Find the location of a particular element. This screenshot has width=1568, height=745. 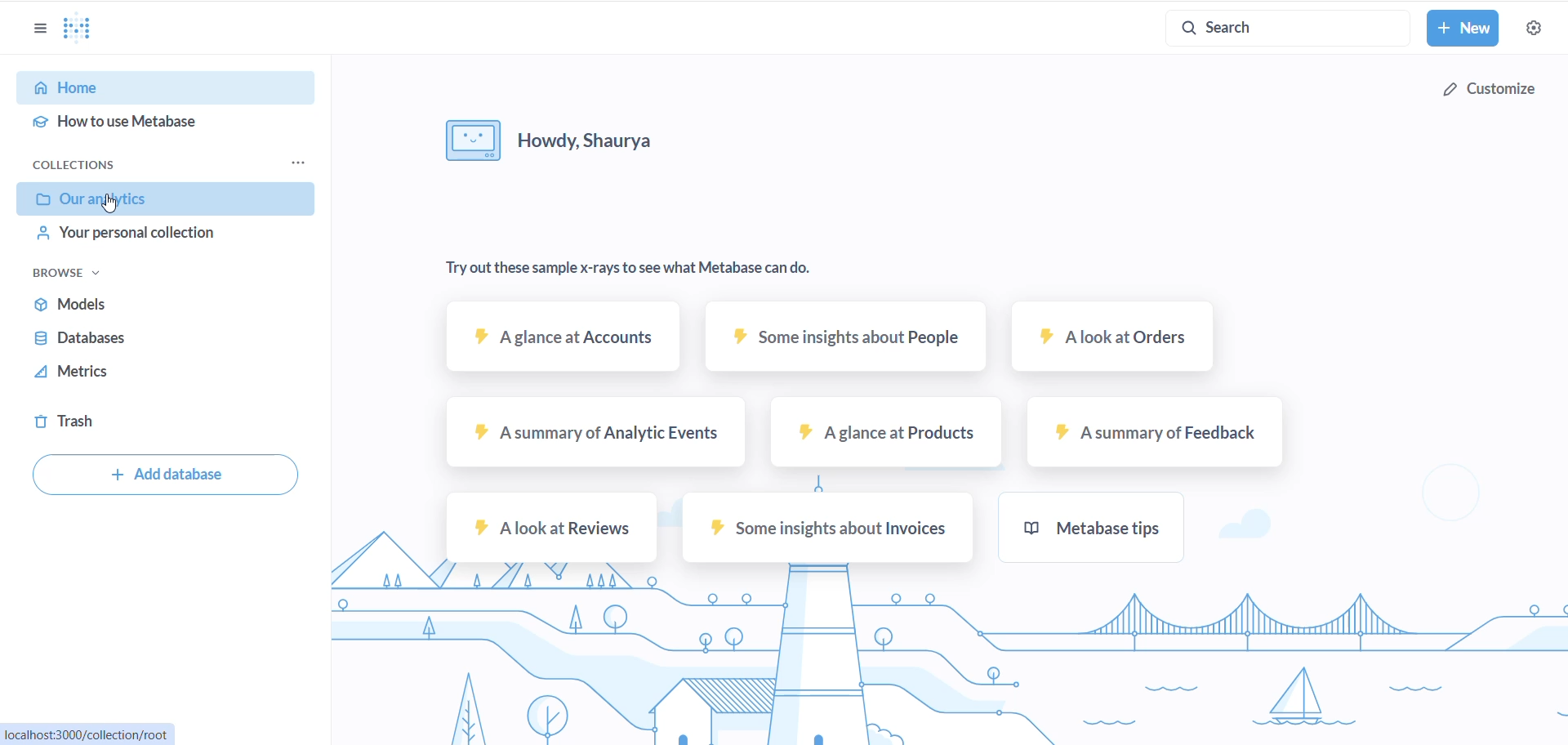

your personal collection is located at coordinates (169, 238).